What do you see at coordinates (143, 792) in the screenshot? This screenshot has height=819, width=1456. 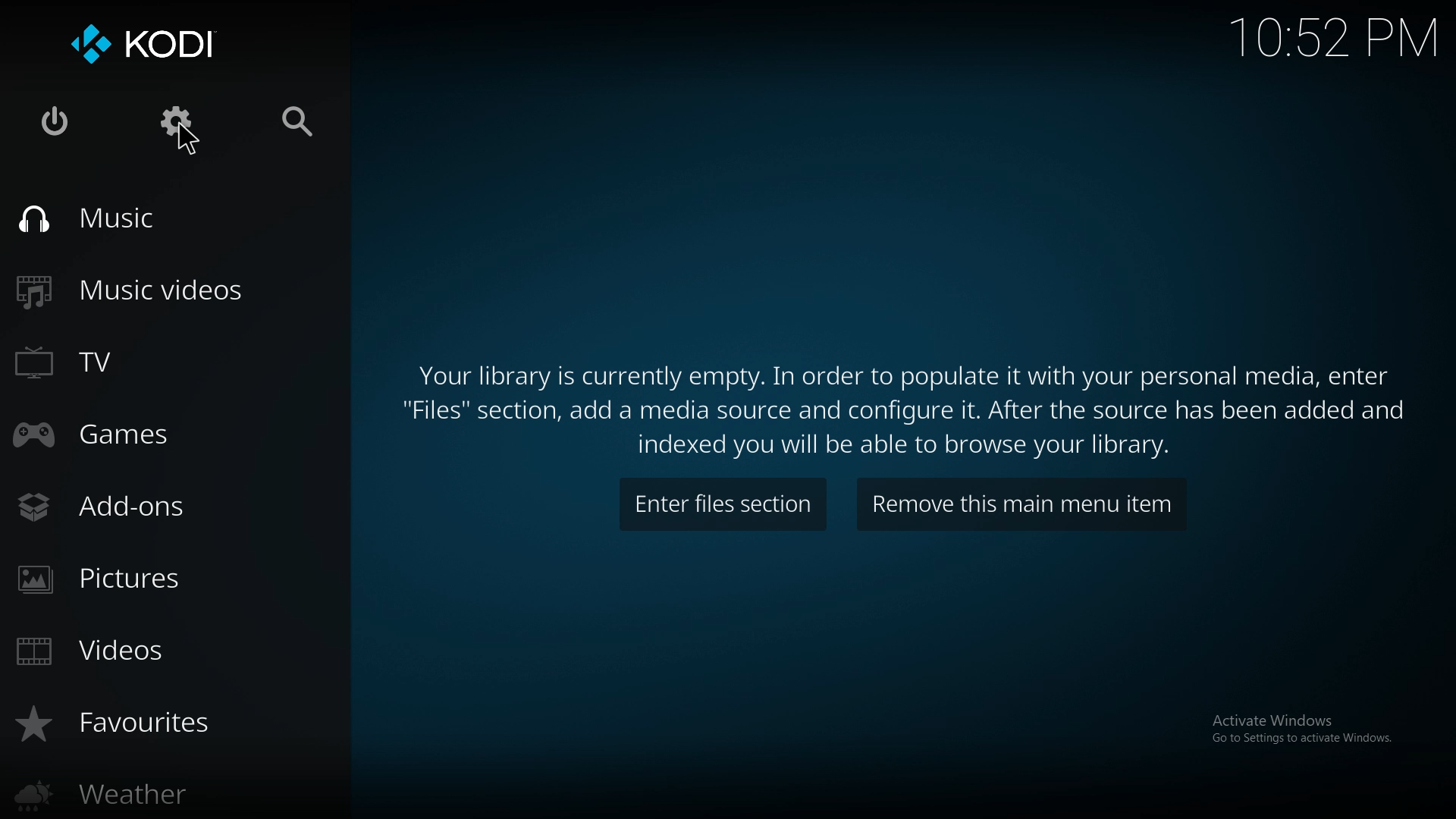 I see `weather` at bounding box center [143, 792].